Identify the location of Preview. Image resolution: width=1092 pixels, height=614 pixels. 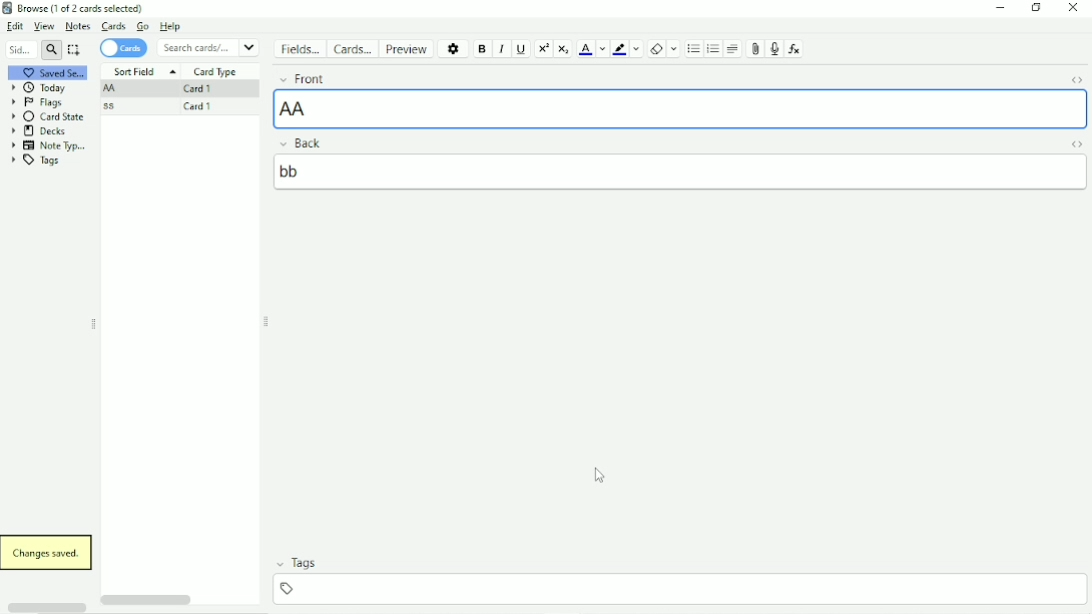
(405, 48).